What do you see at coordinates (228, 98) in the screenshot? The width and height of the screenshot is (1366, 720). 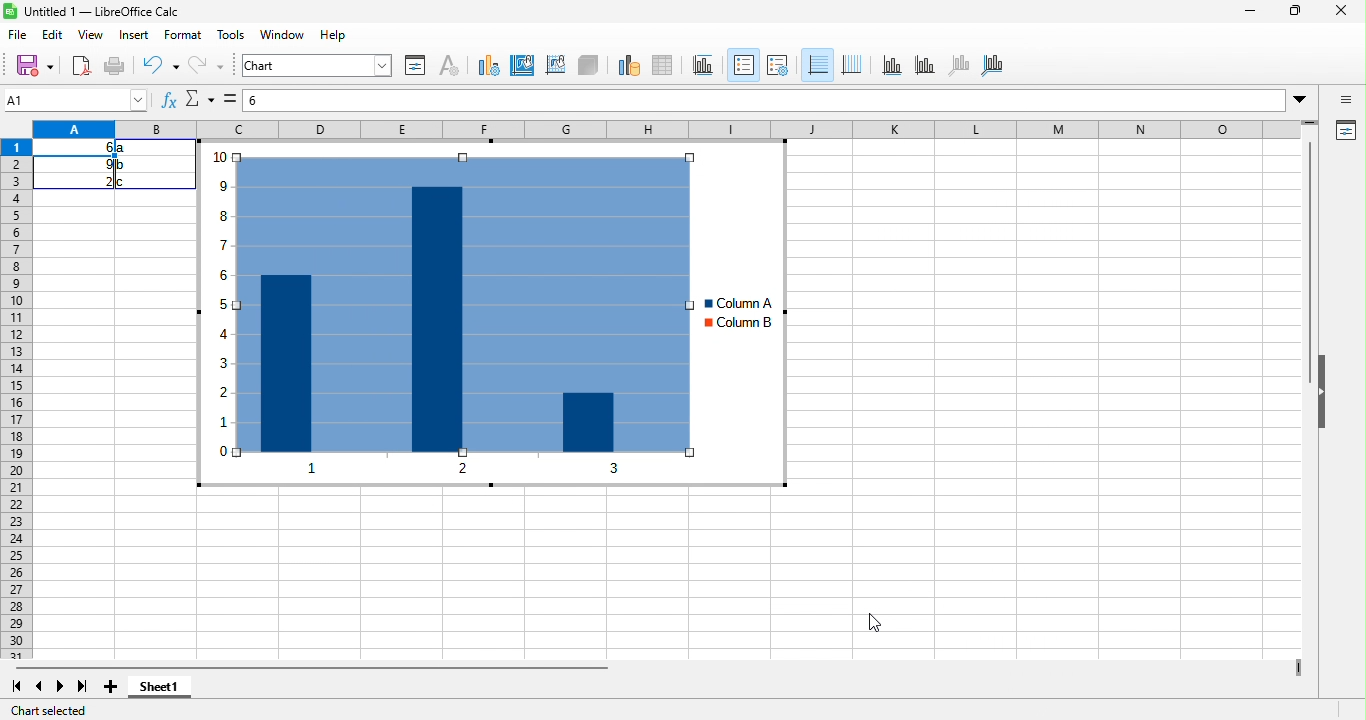 I see `select` at bounding box center [228, 98].